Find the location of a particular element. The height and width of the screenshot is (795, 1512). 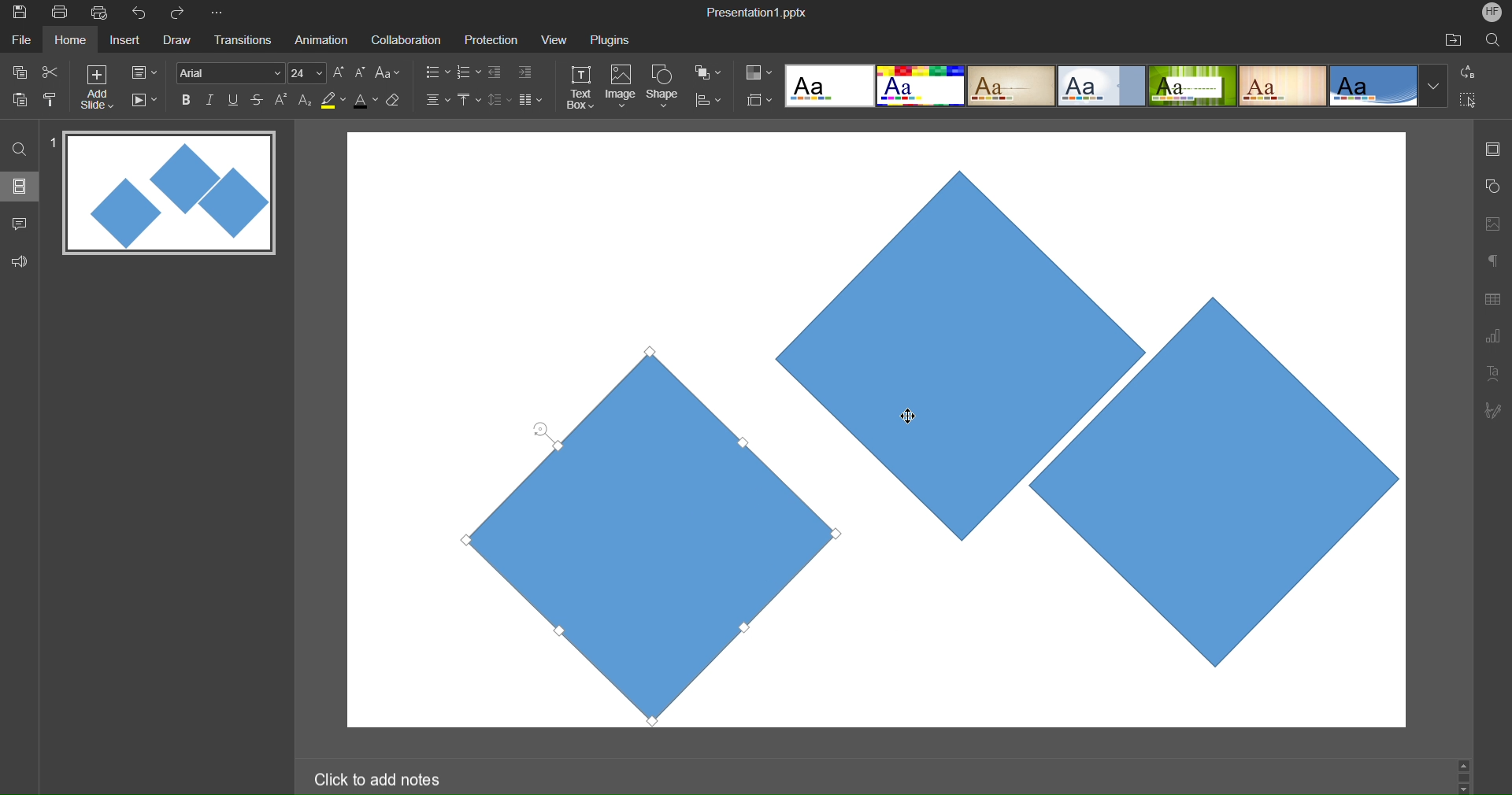

File is located at coordinates (24, 39).